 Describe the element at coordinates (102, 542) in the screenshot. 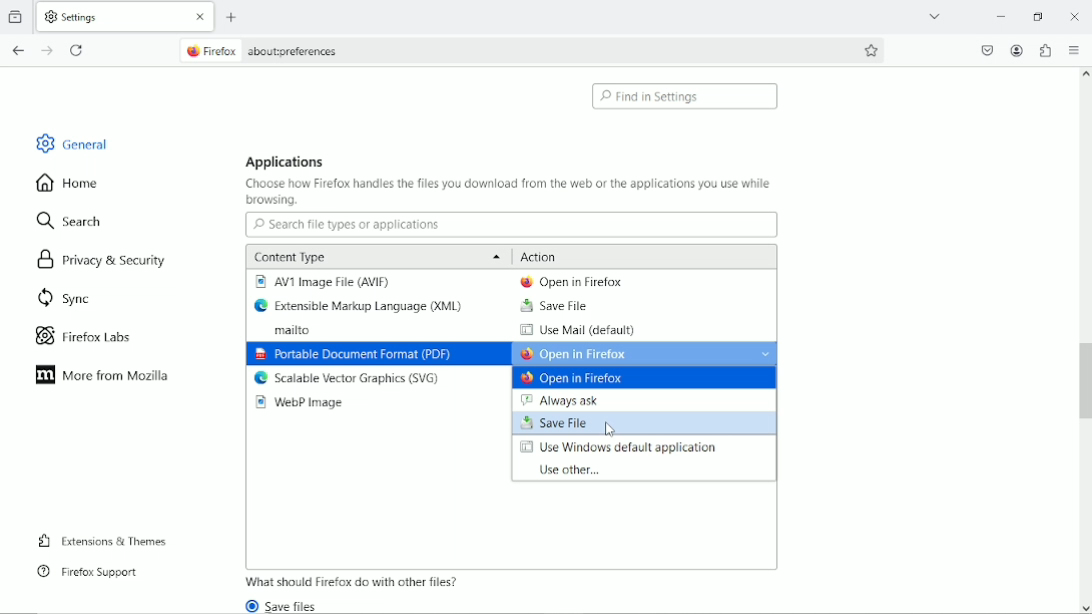

I see `extensions & themes` at that location.